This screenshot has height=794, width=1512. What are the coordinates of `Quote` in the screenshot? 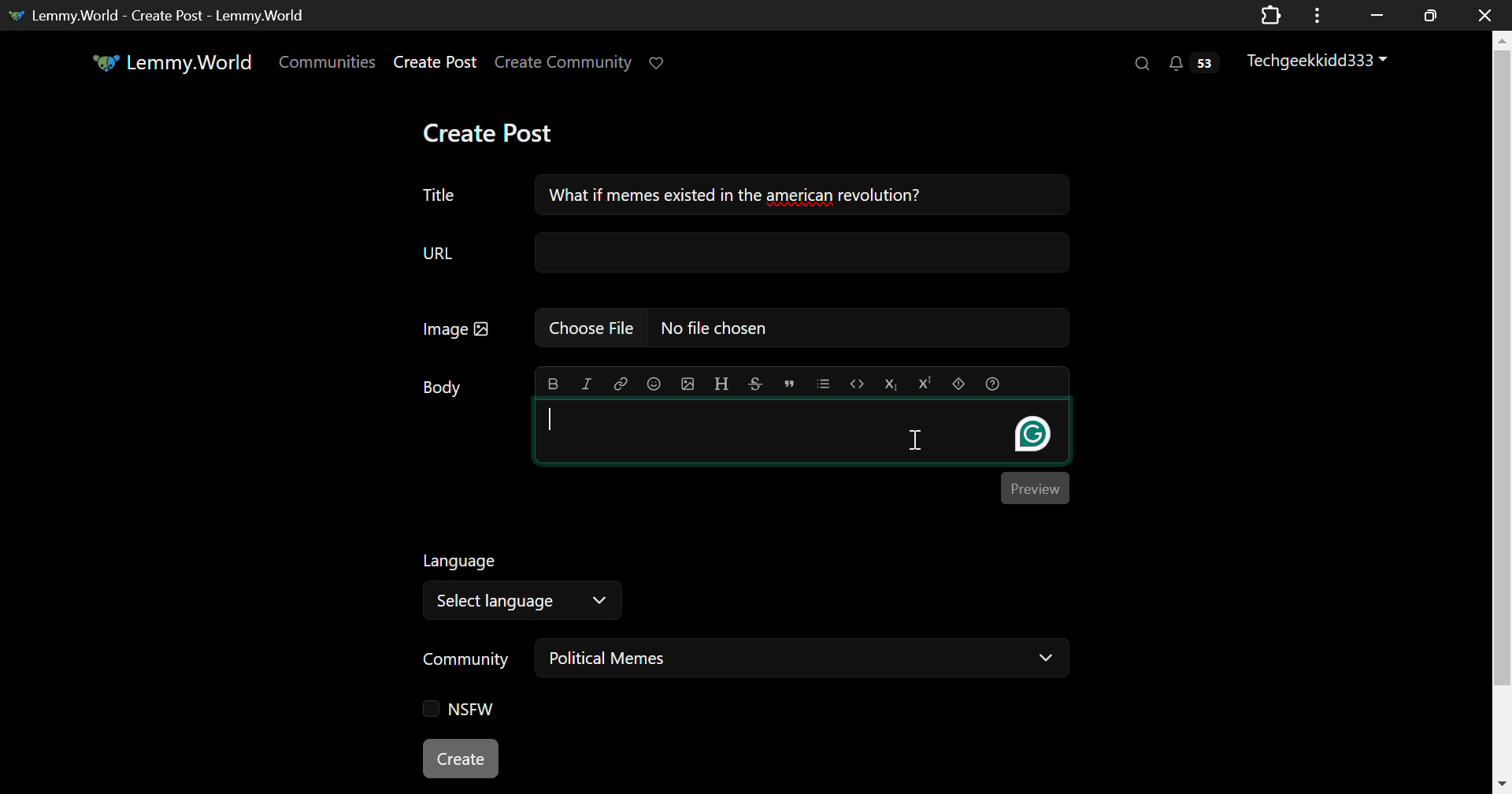 It's located at (788, 382).